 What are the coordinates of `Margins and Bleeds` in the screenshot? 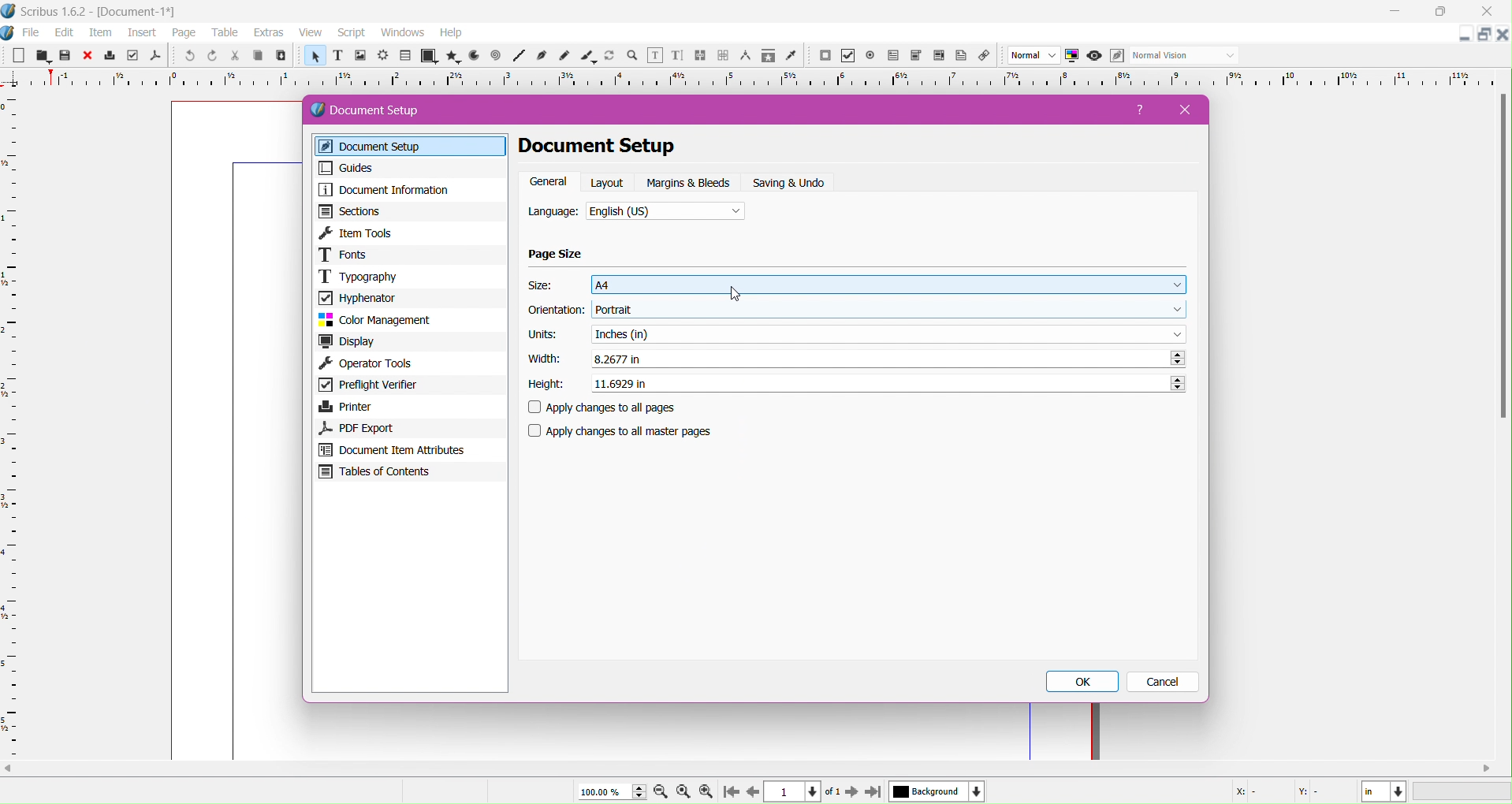 It's located at (690, 183).